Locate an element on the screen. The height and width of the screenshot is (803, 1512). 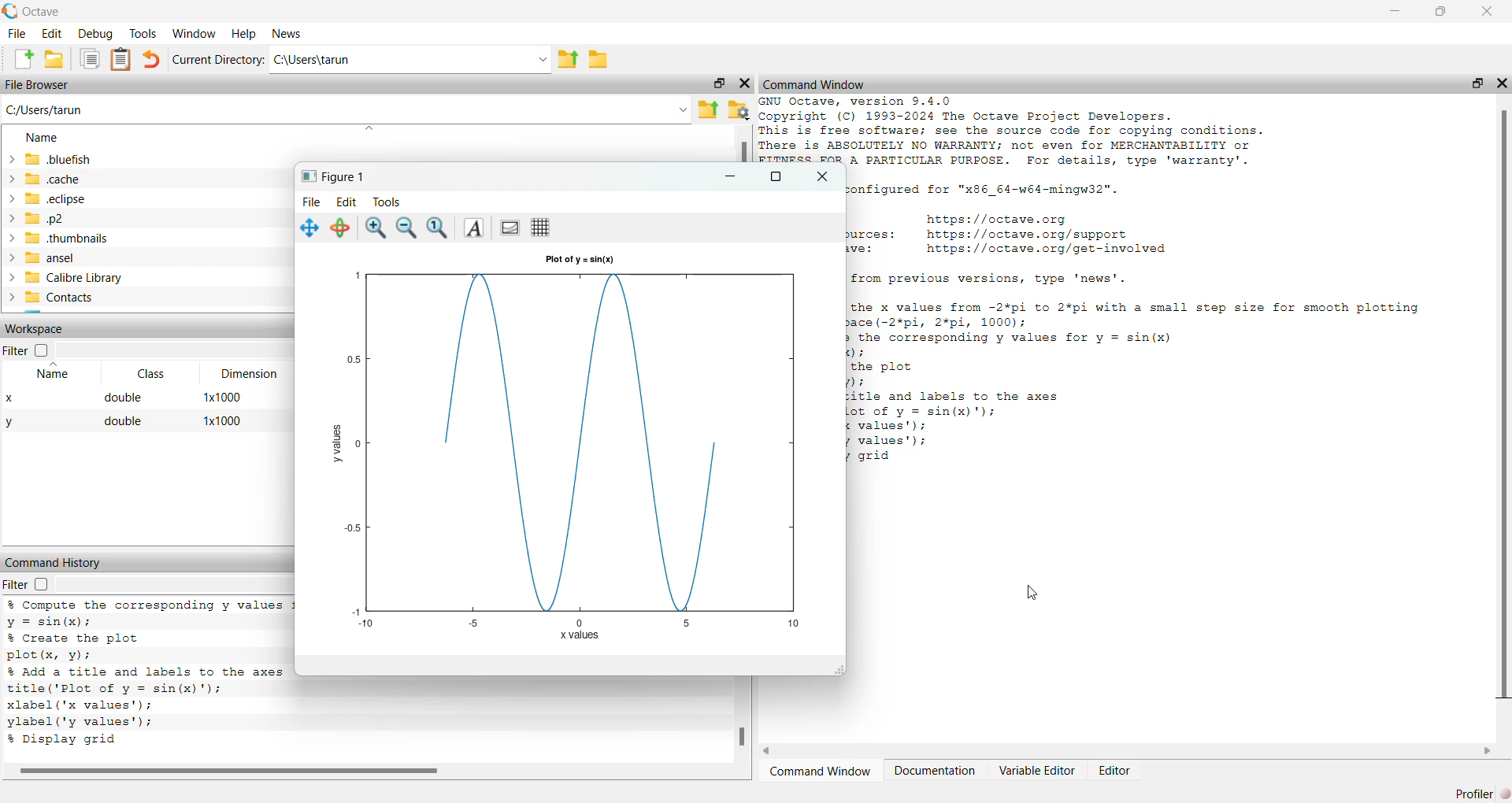
GNU Octave, version 9.4.0 is located at coordinates (858, 101).